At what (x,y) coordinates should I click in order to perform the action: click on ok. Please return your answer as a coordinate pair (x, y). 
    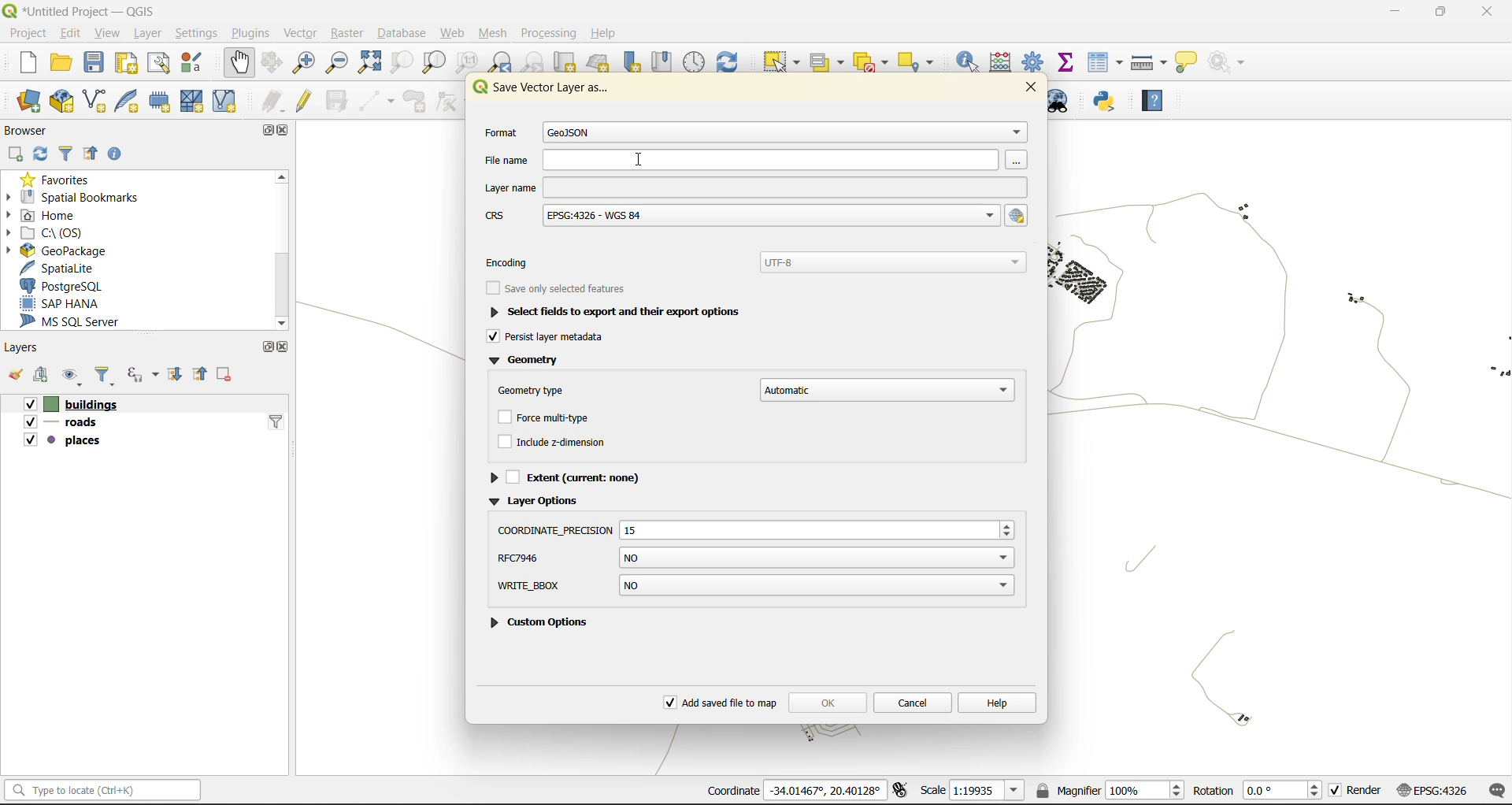
    Looking at the image, I should click on (827, 700).